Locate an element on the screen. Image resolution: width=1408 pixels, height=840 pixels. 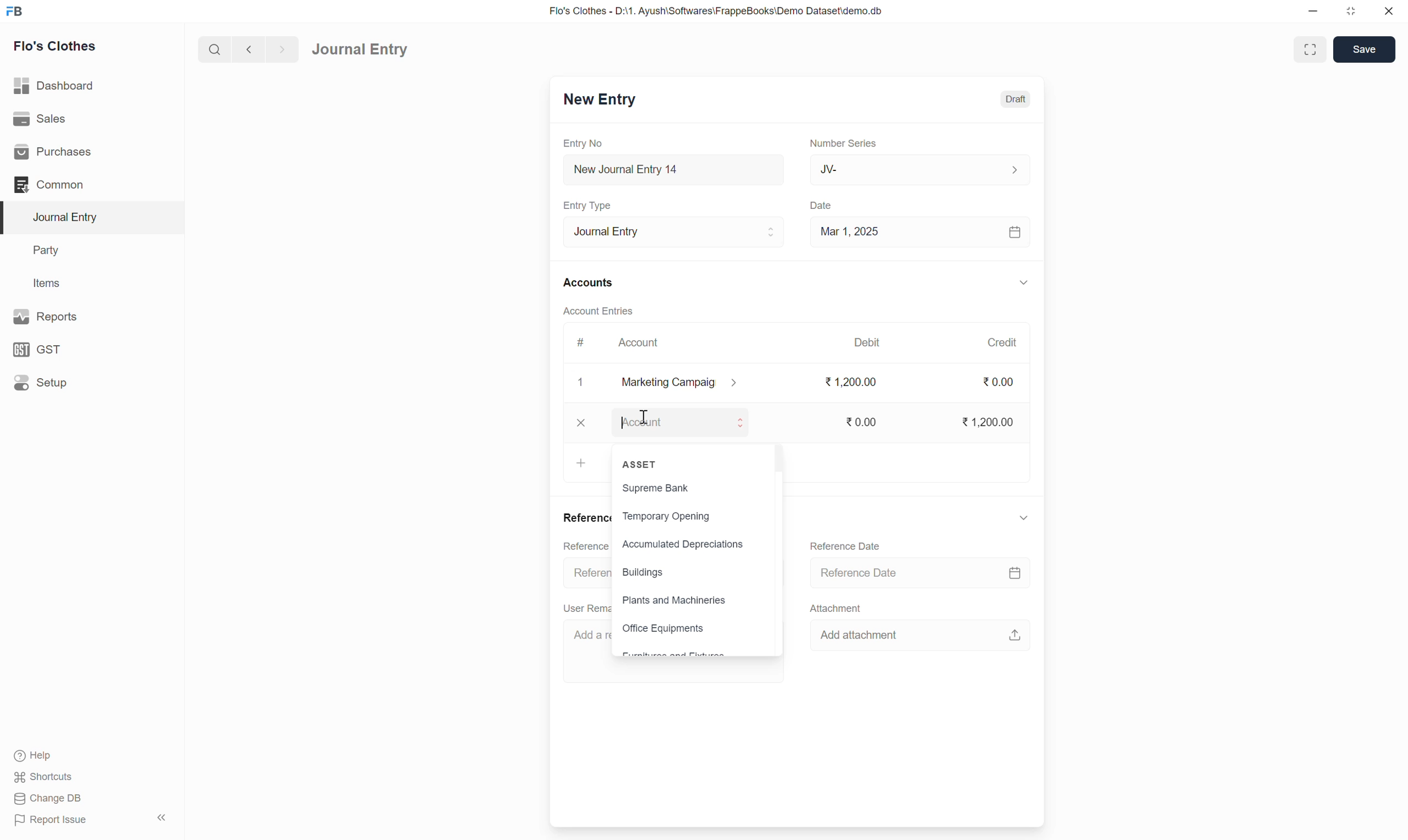
calendar is located at coordinates (1016, 233).